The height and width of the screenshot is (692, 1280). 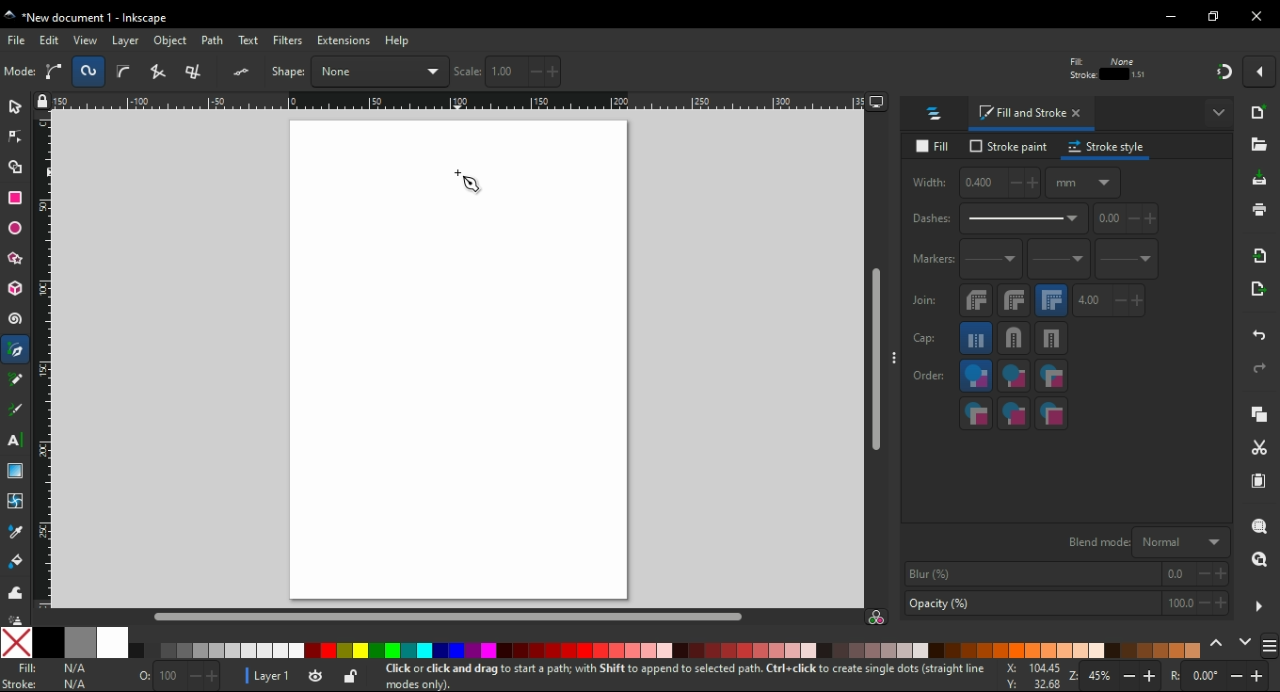 I want to click on object rotate 90 CCW, so click(x=166, y=72).